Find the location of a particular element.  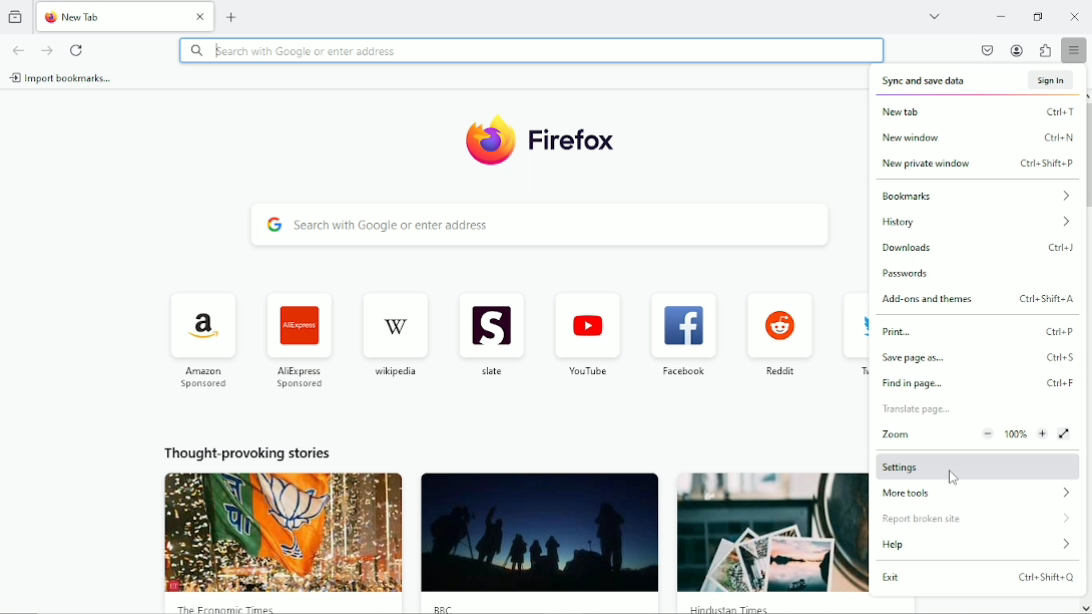

BBC is located at coordinates (441, 608).